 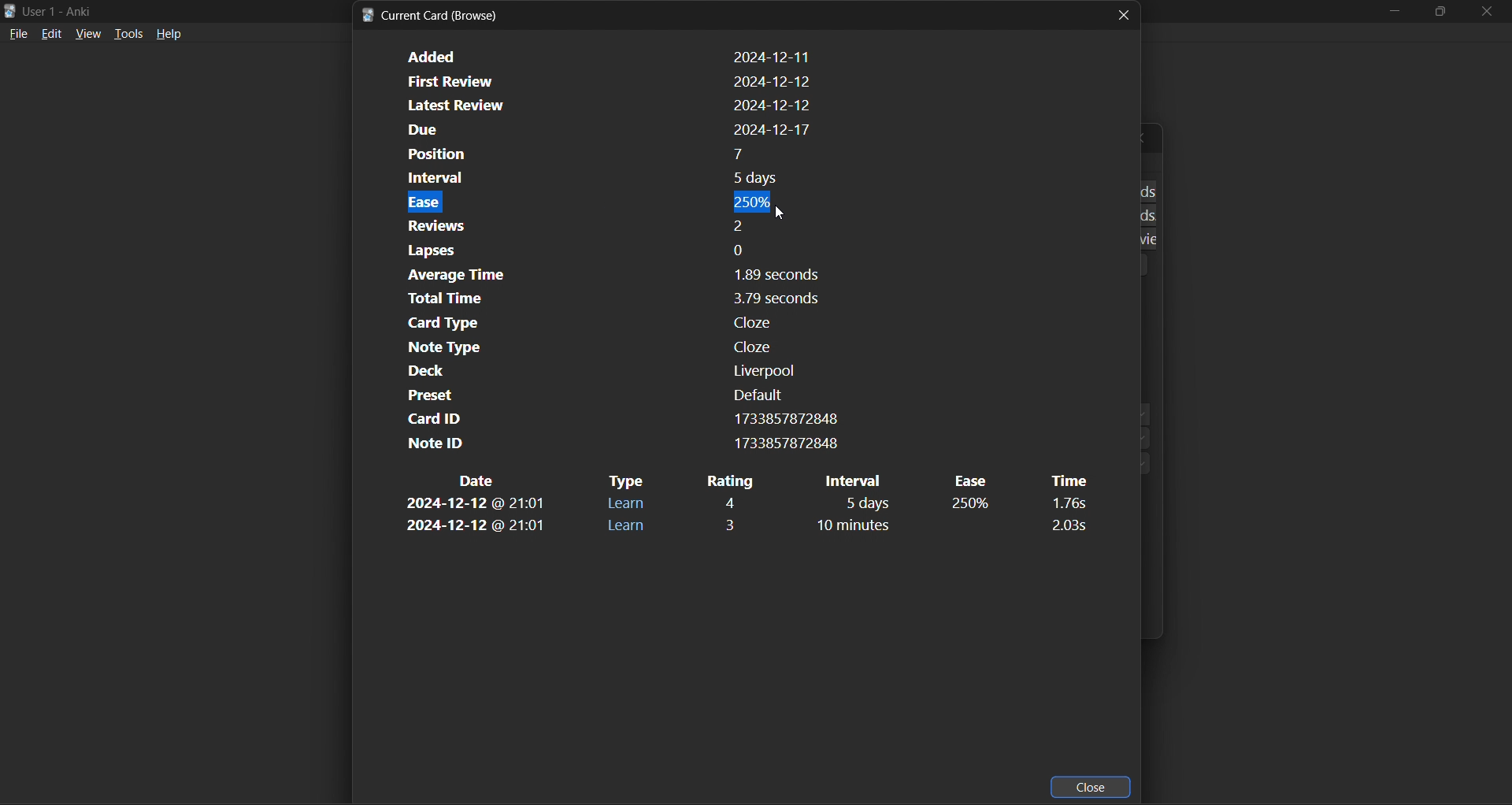 What do you see at coordinates (597, 395) in the screenshot?
I see `card preset` at bounding box center [597, 395].